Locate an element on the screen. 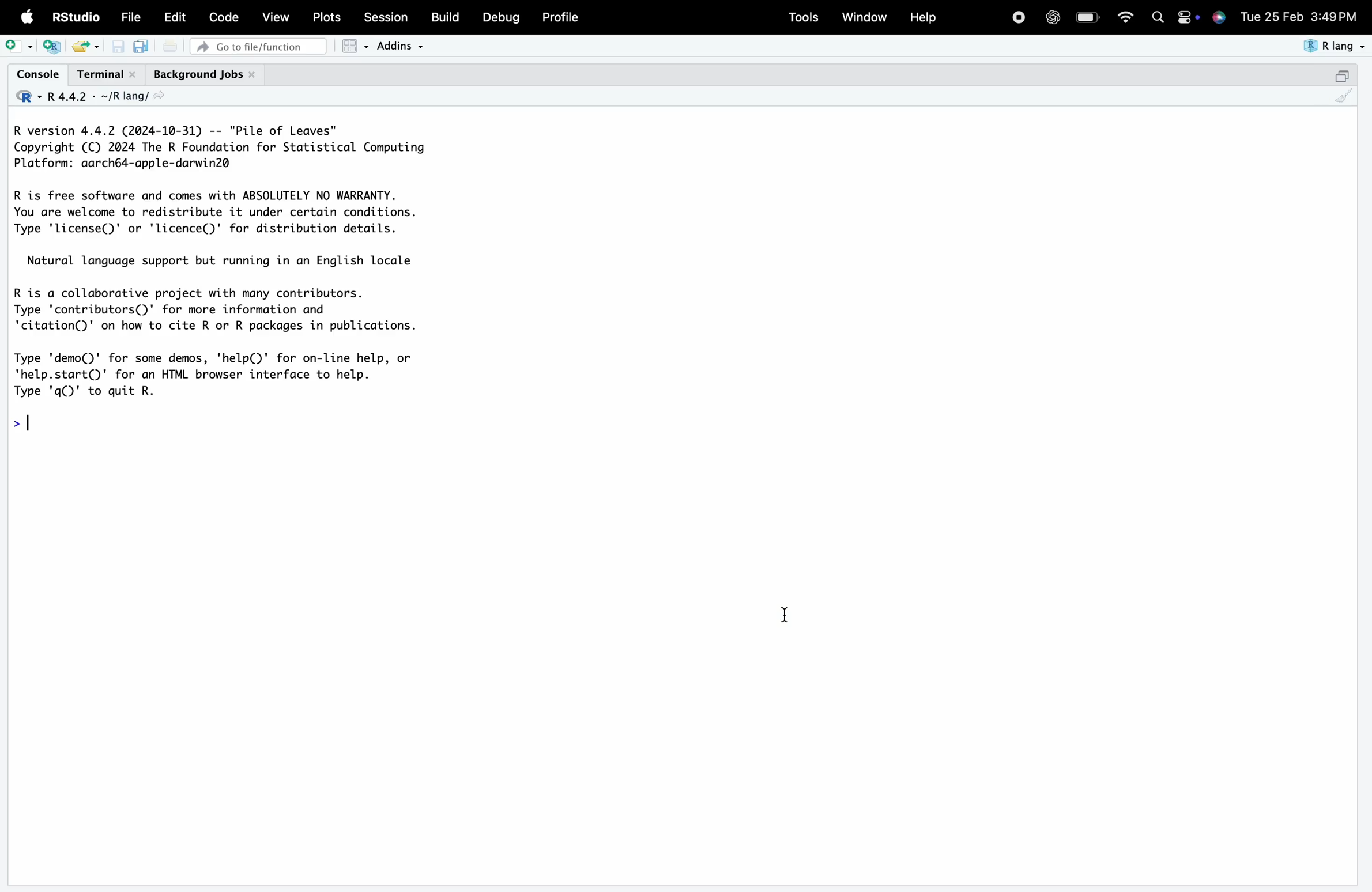 This screenshot has width=1372, height=892. open AI is located at coordinates (1052, 17).